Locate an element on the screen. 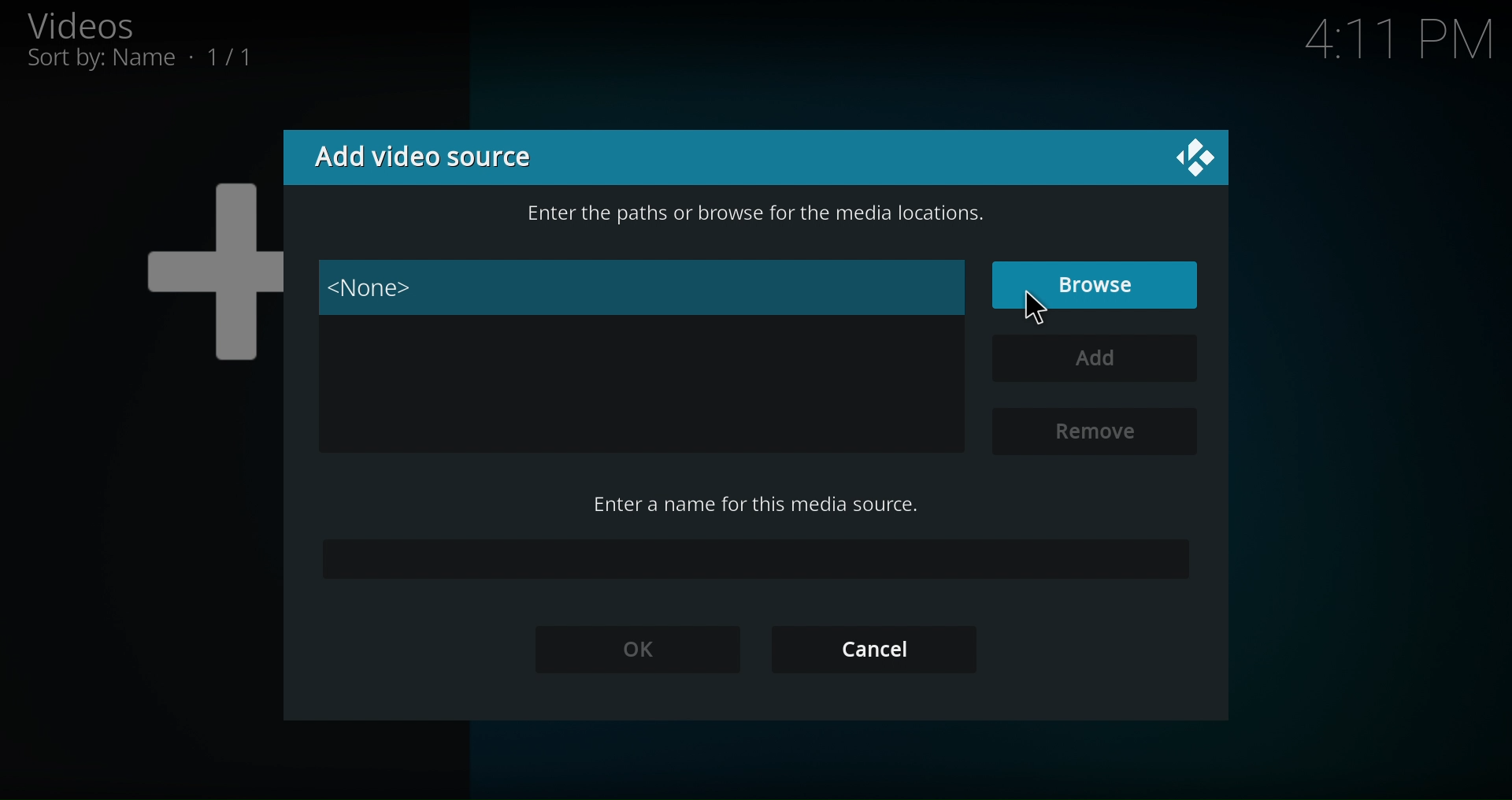 This screenshot has height=800, width=1512. Remove is located at coordinates (1092, 431).